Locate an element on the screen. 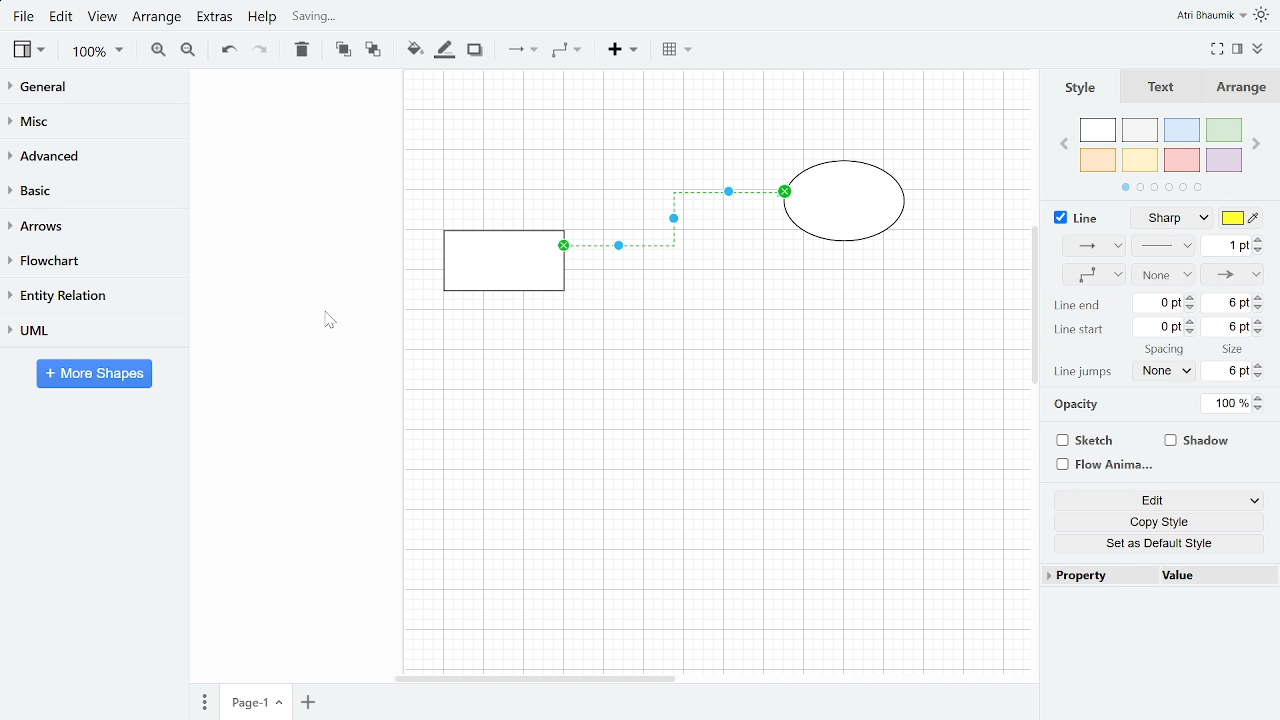  Connection is located at coordinates (523, 50).